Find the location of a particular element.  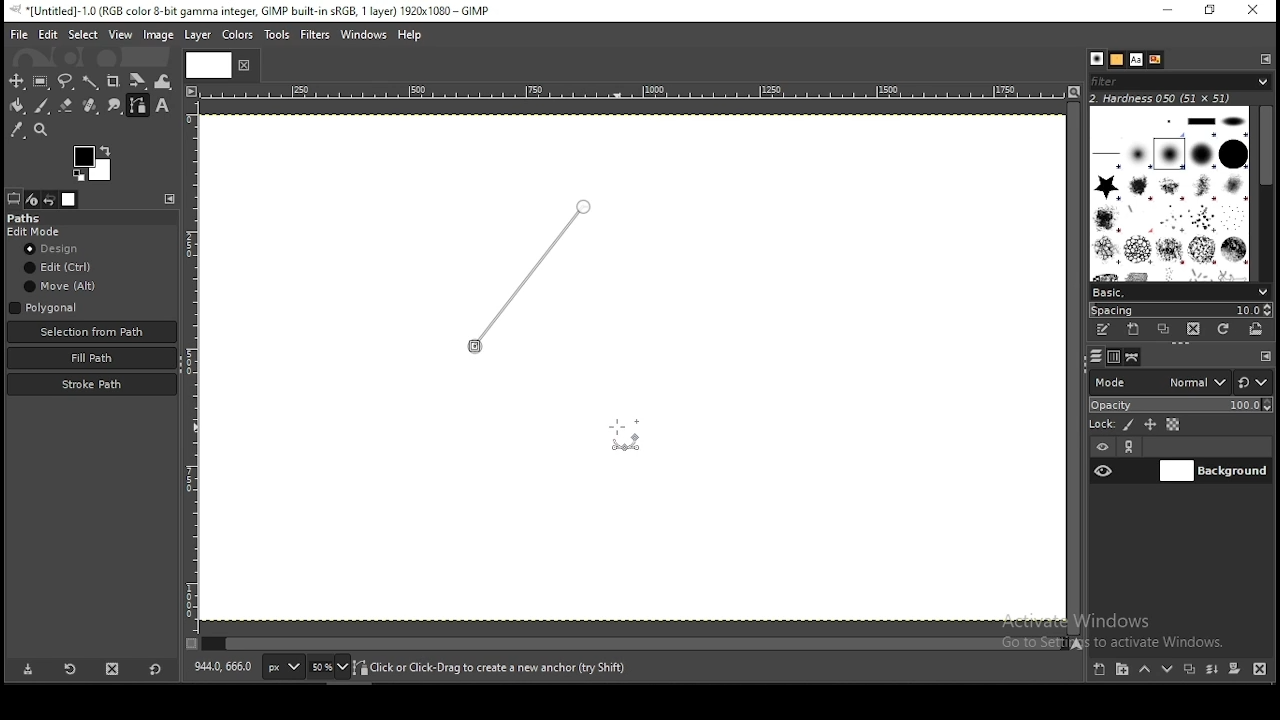

paintbrush tool is located at coordinates (40, 105).